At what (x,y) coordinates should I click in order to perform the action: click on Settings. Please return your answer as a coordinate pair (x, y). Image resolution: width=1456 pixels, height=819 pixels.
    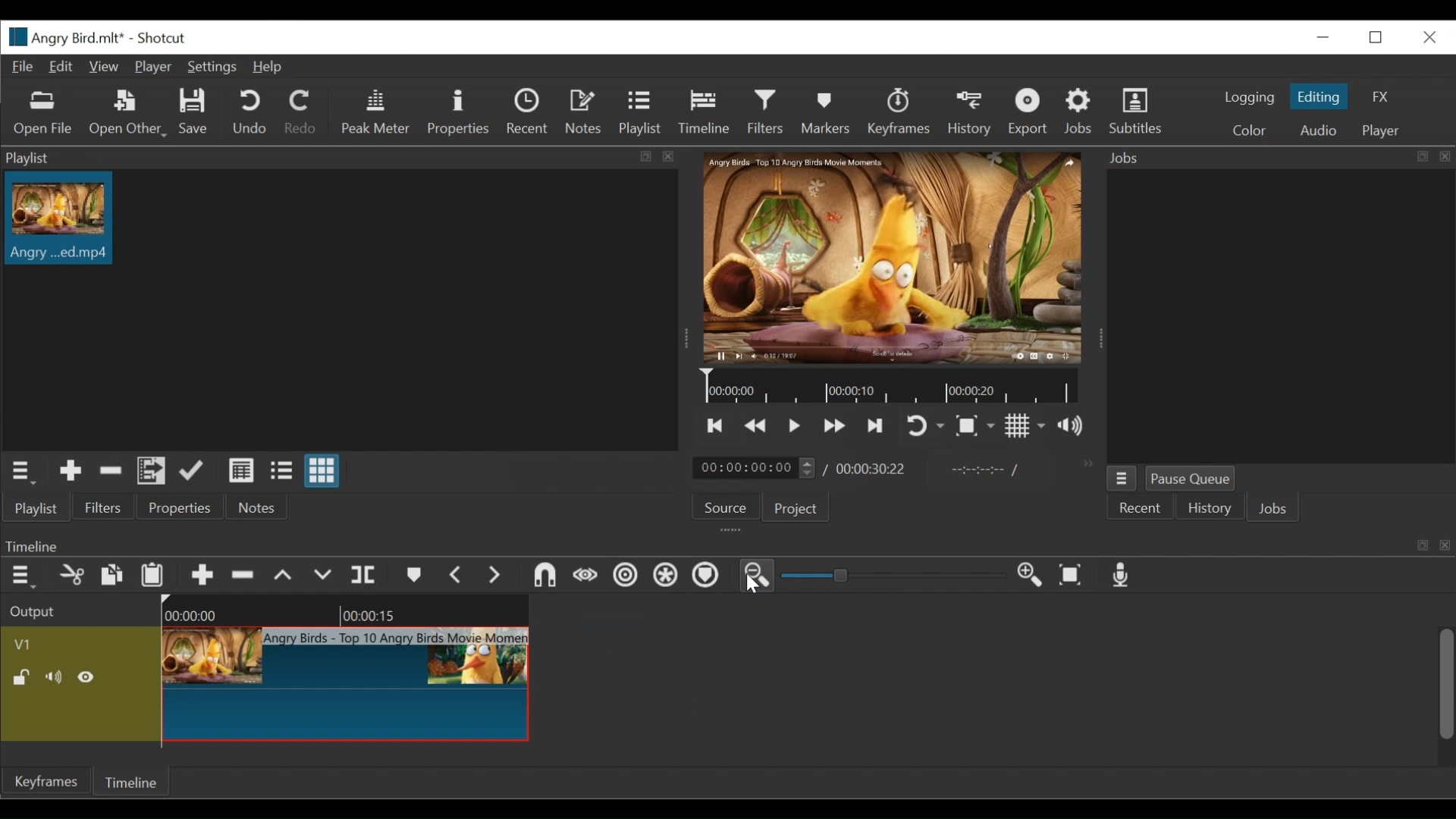
    Looking at the image, I should click on (211, 67).